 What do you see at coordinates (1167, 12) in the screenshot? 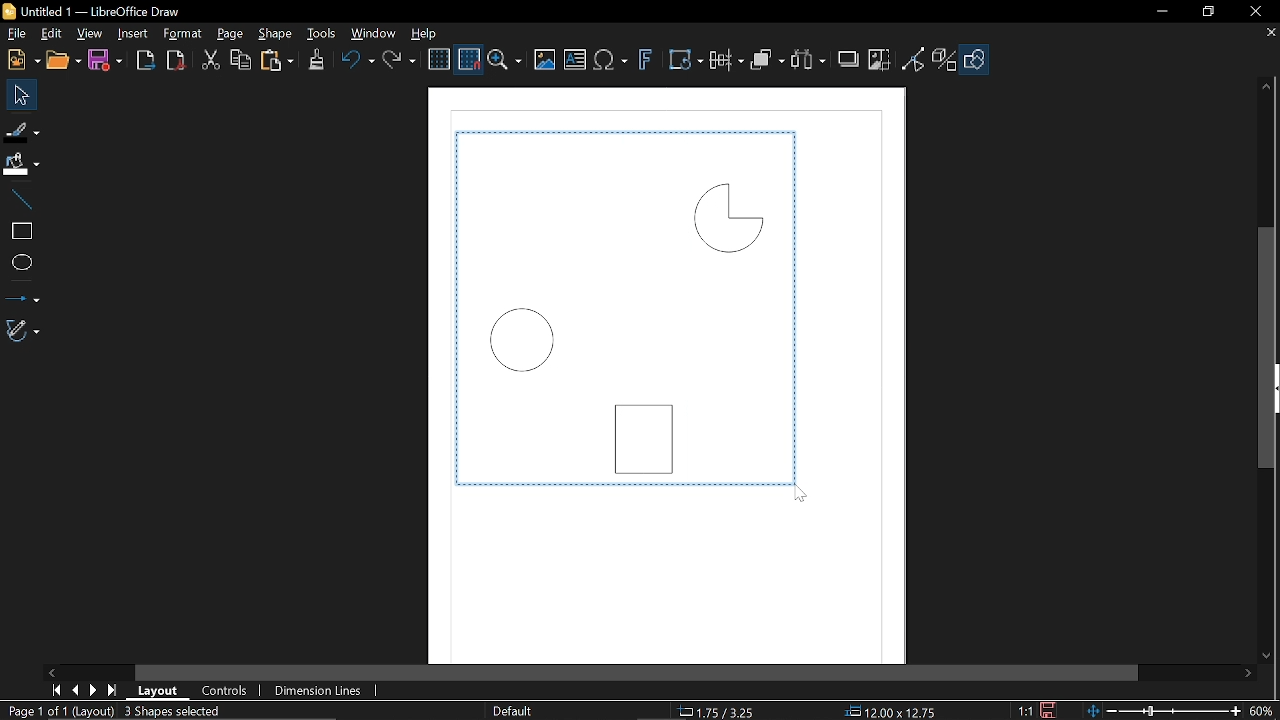
I see `Minimize` at bounding box center [1167, 12].